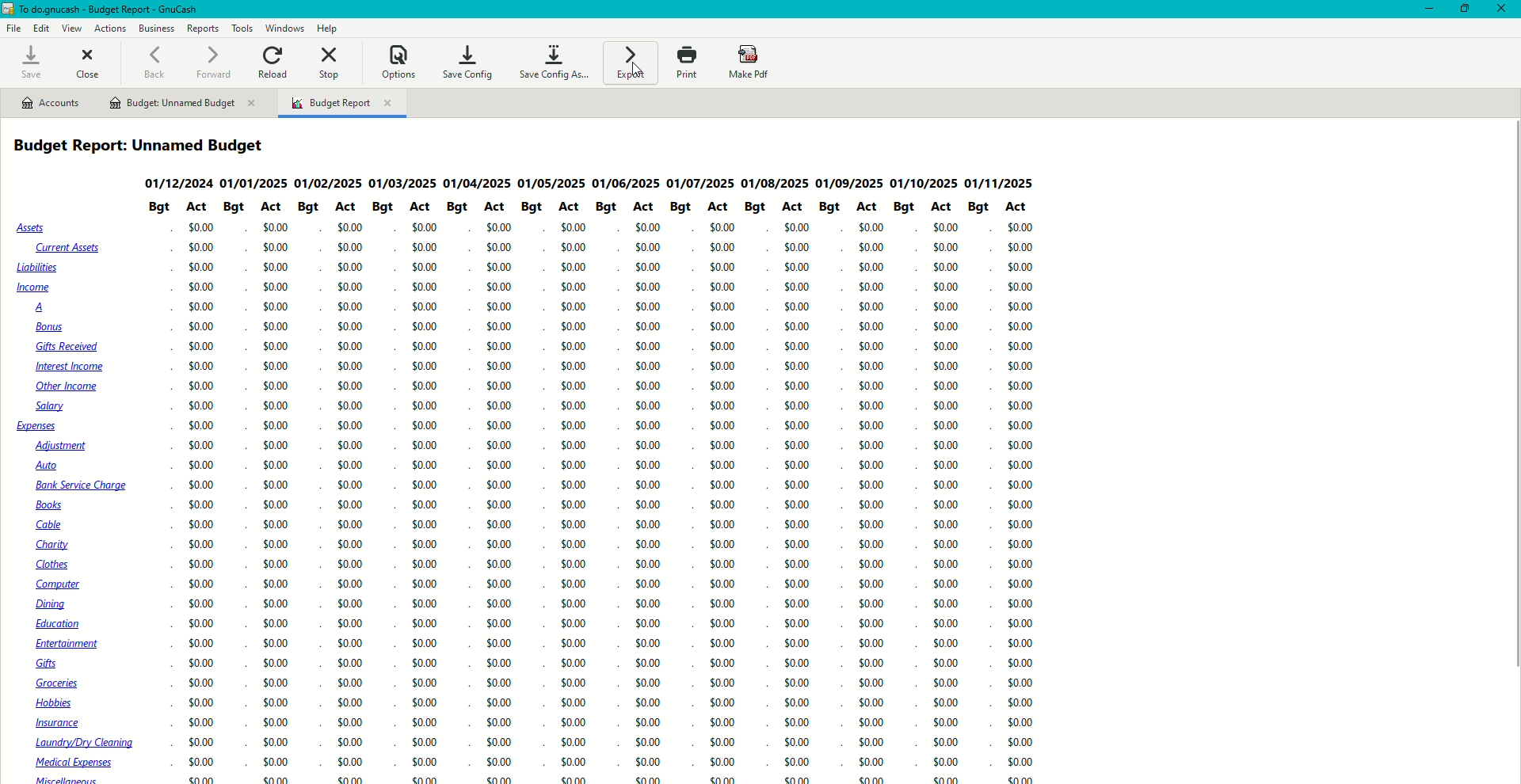 Image resolution: width=1521 pixels, height=784 pixels. I want to click on Make PDF, so click(751, 63).